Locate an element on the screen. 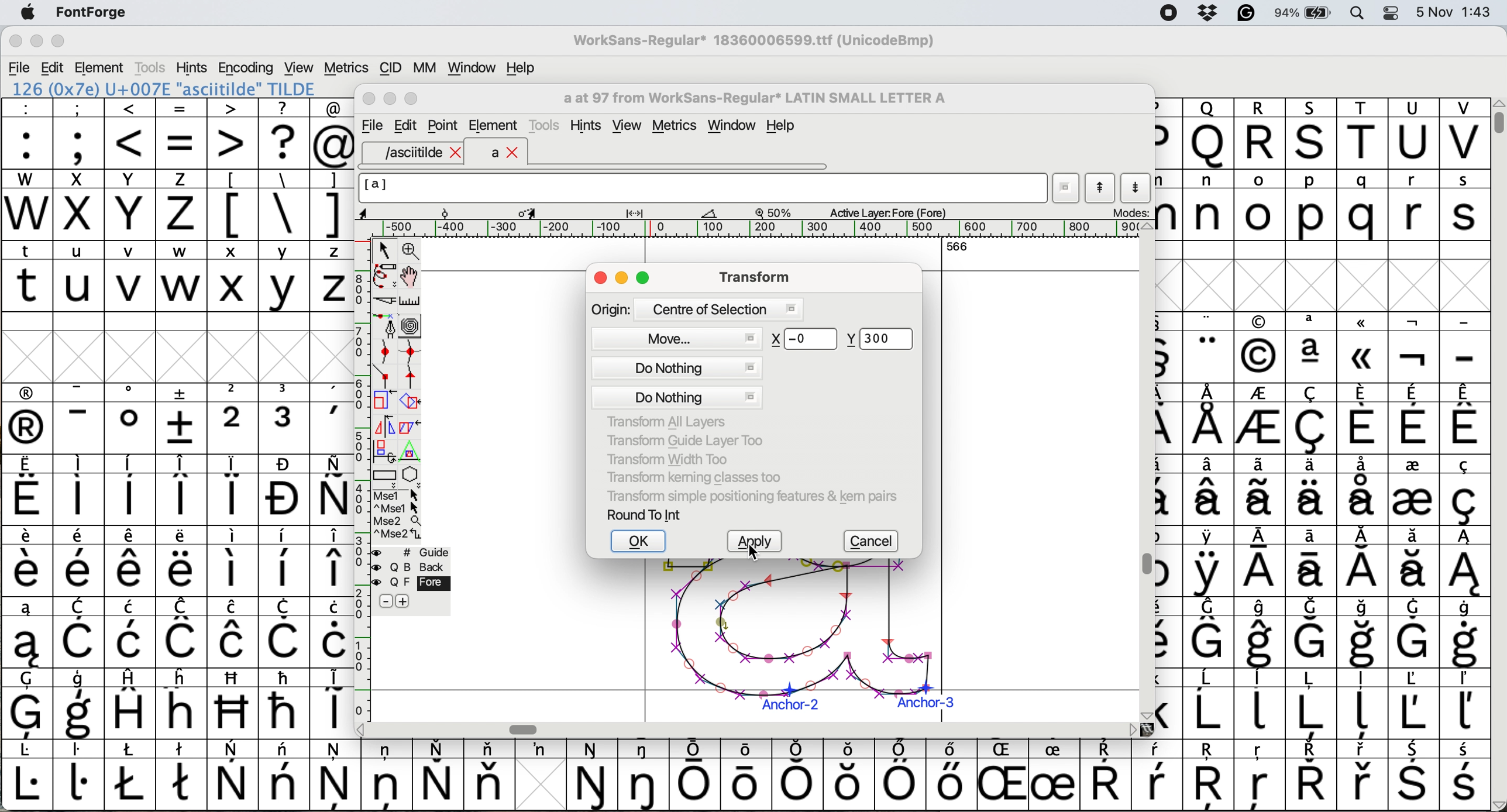 The width and height of the screenshot is (1507, 812). symbol is located at coordinates (133, 703).